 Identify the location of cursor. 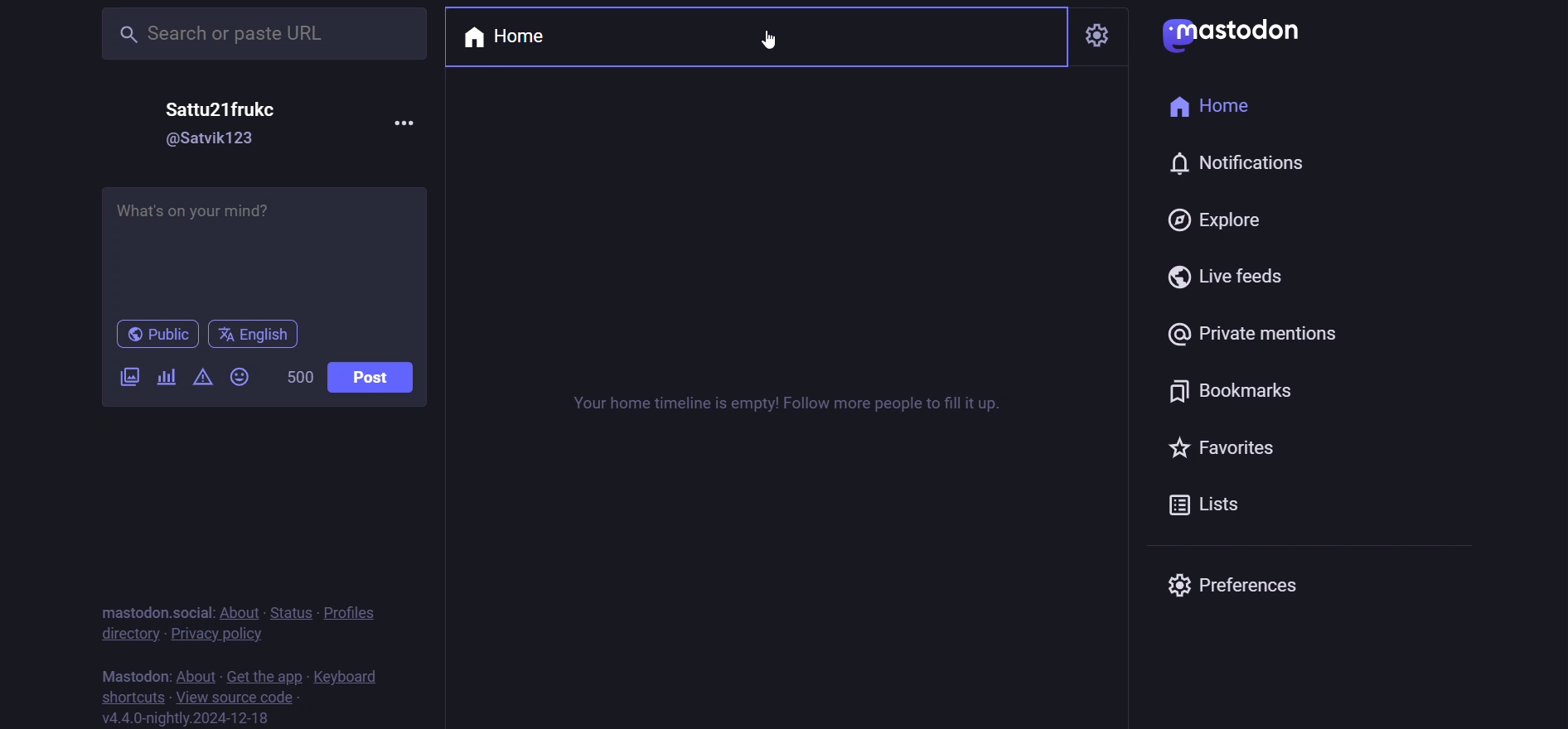
(768, 43).